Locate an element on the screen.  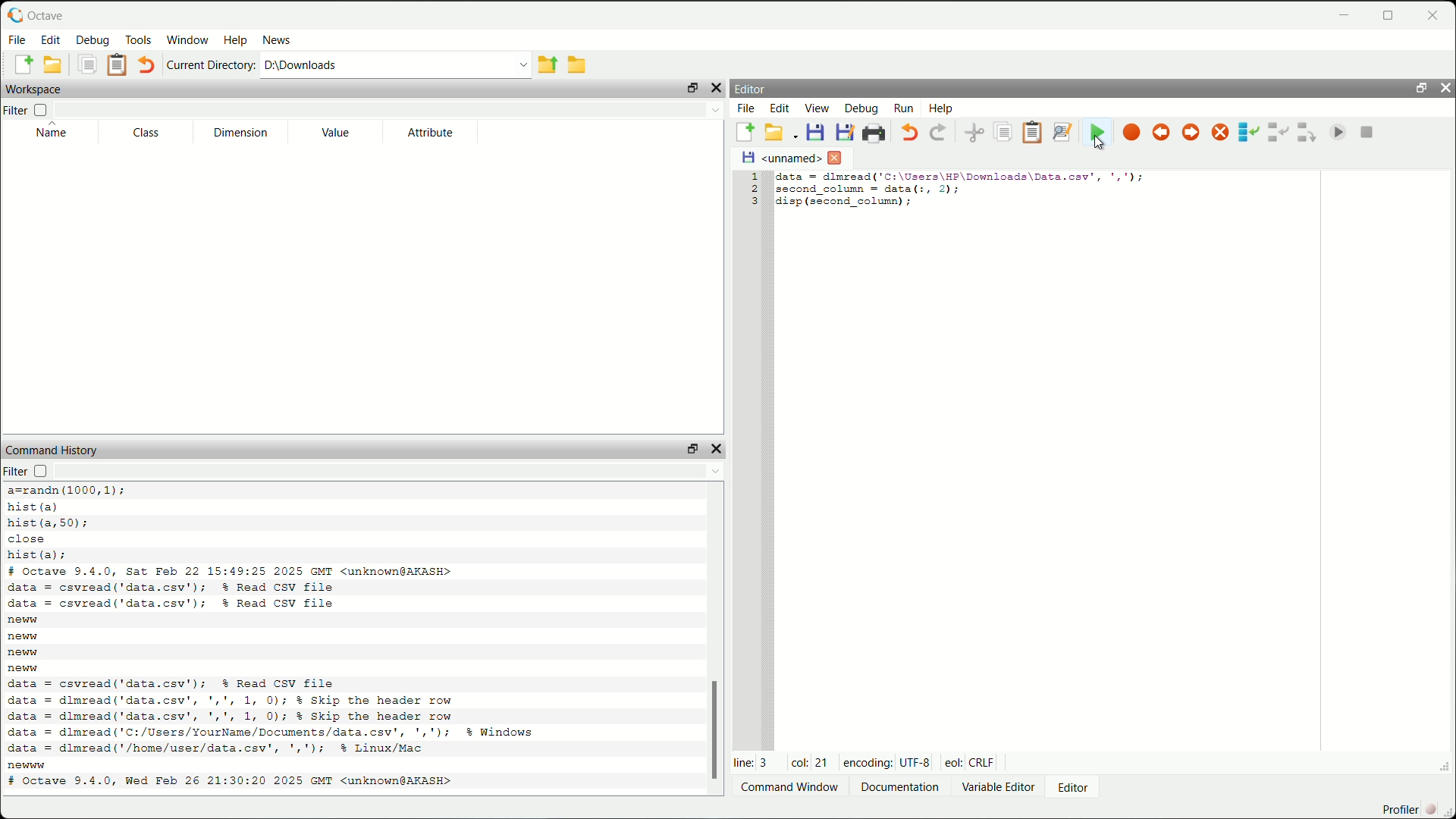
code to display second column is located at coordinates (965, 193).